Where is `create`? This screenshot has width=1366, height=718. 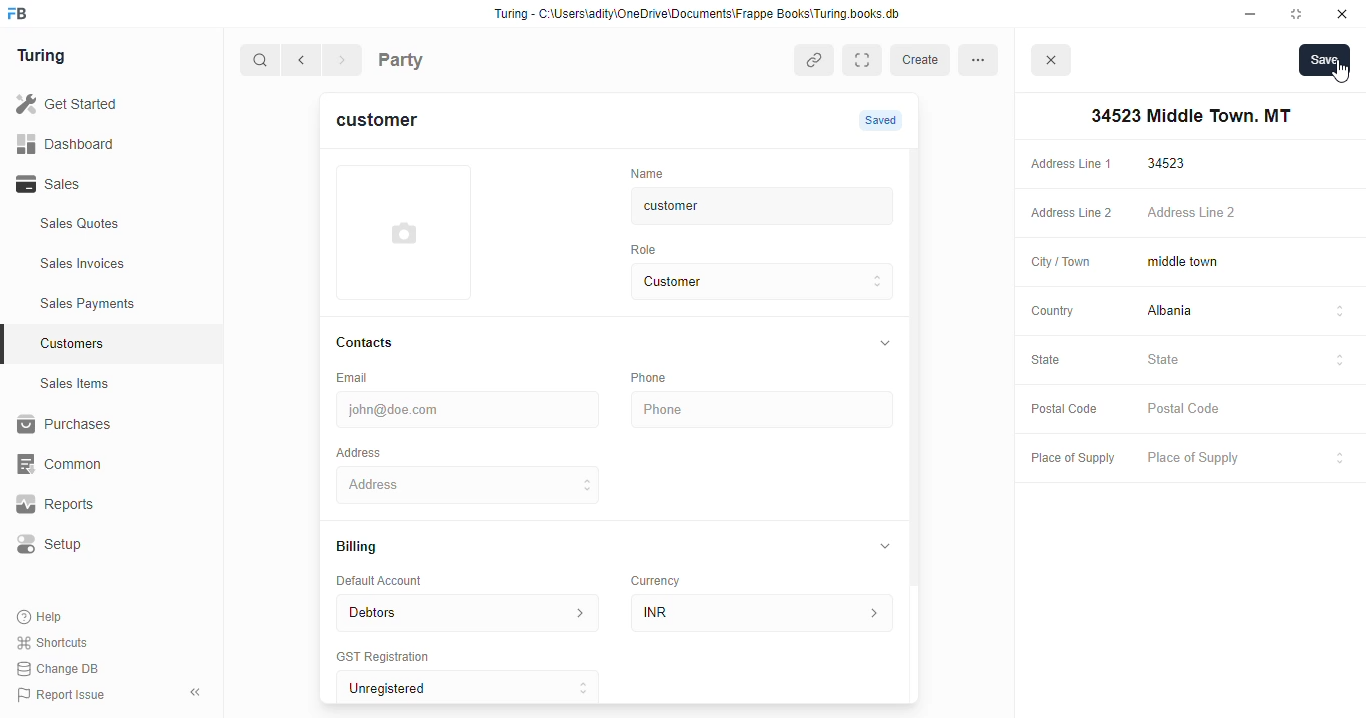 create is located at coordinates (923, 60).